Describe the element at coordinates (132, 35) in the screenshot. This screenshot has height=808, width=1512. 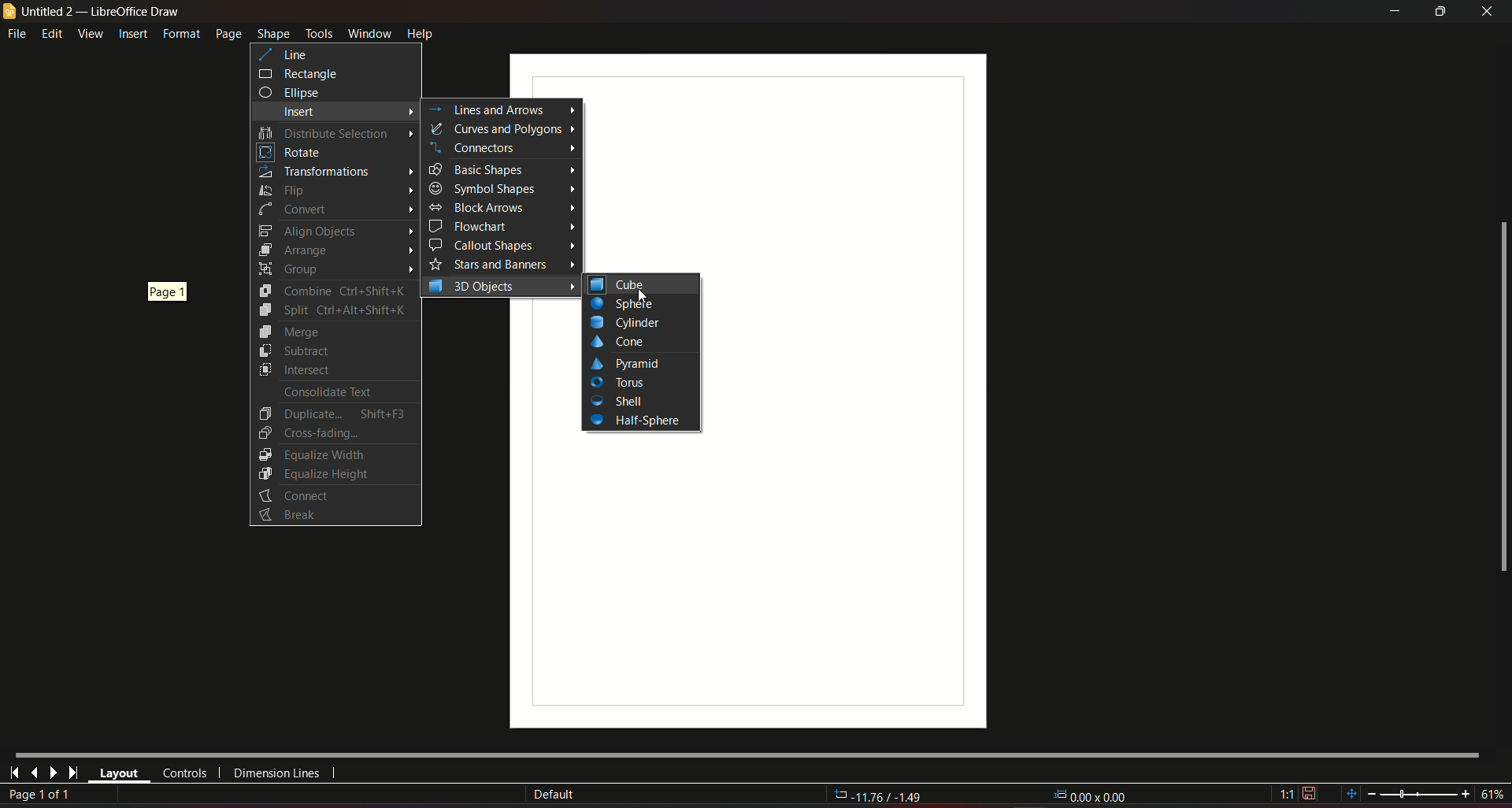
I see `insert` at that location.